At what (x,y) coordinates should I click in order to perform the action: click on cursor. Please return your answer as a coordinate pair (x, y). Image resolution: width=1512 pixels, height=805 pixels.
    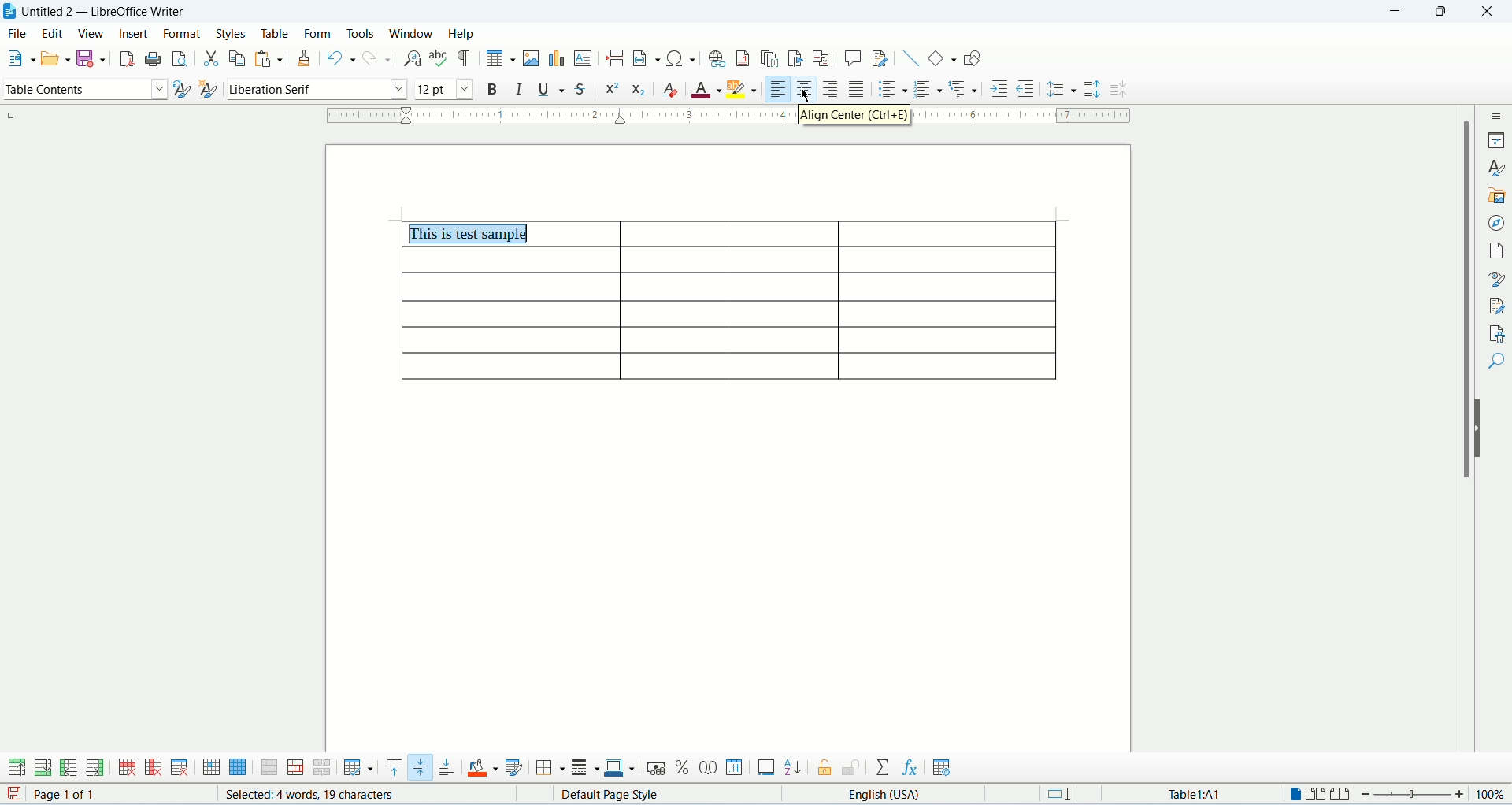
    Looking at the image, I should click on (806, 95).